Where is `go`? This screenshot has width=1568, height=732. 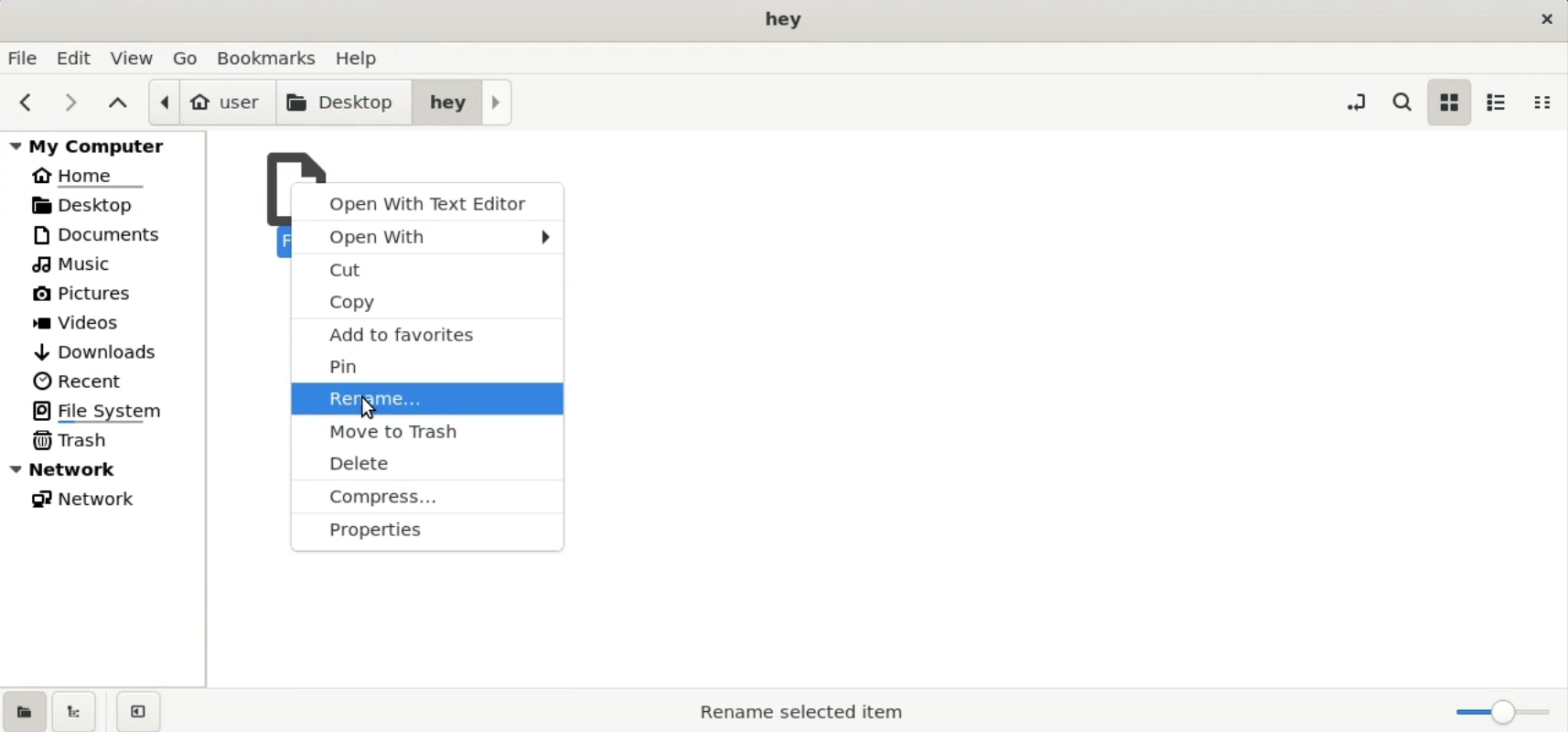
go is located at coordinates (188, 57).